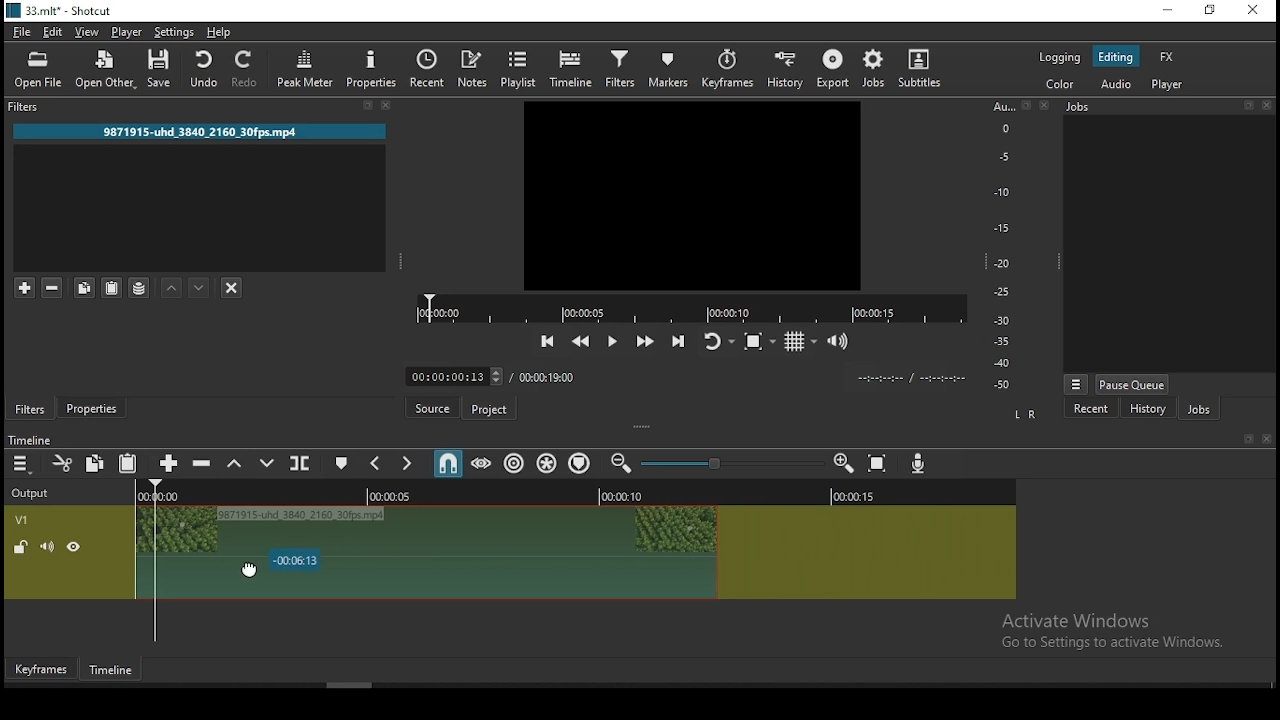 This screenshot has width=1280, height=720. I want to click on subtitle, so click(923, 68).